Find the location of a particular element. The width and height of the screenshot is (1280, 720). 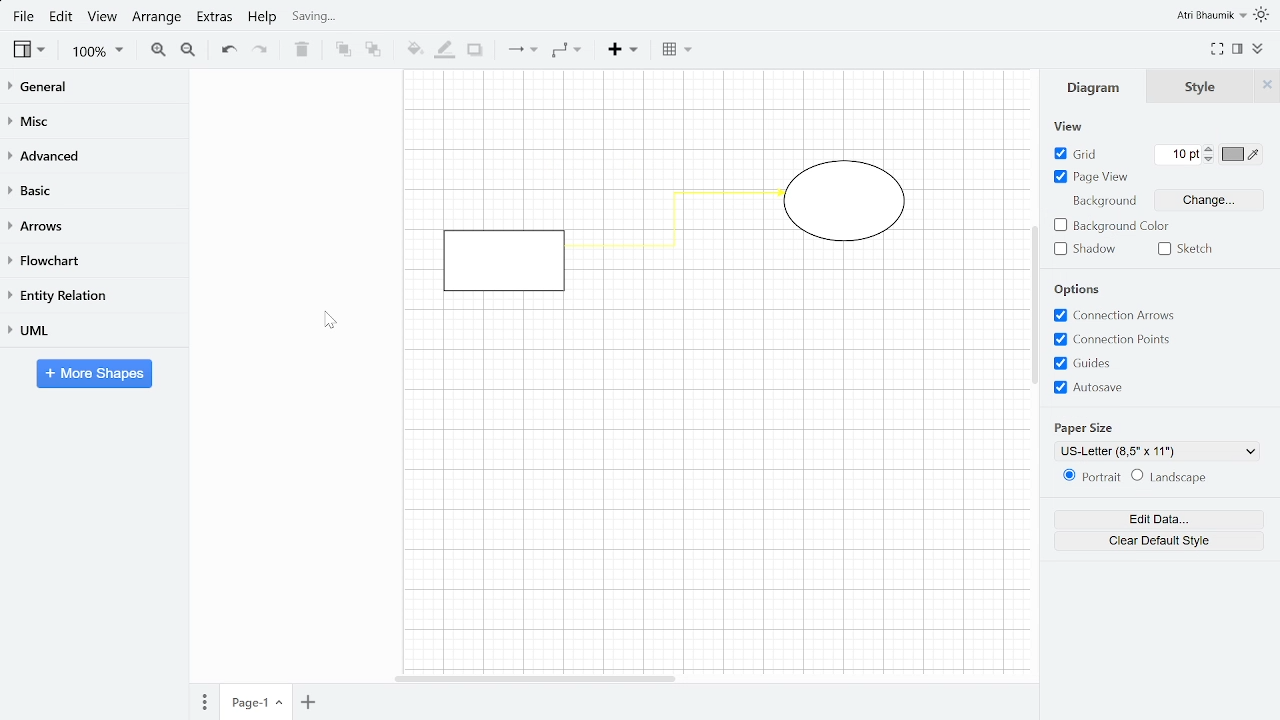

Color of the connector changed to yellow is located at coordinates (677, 229).